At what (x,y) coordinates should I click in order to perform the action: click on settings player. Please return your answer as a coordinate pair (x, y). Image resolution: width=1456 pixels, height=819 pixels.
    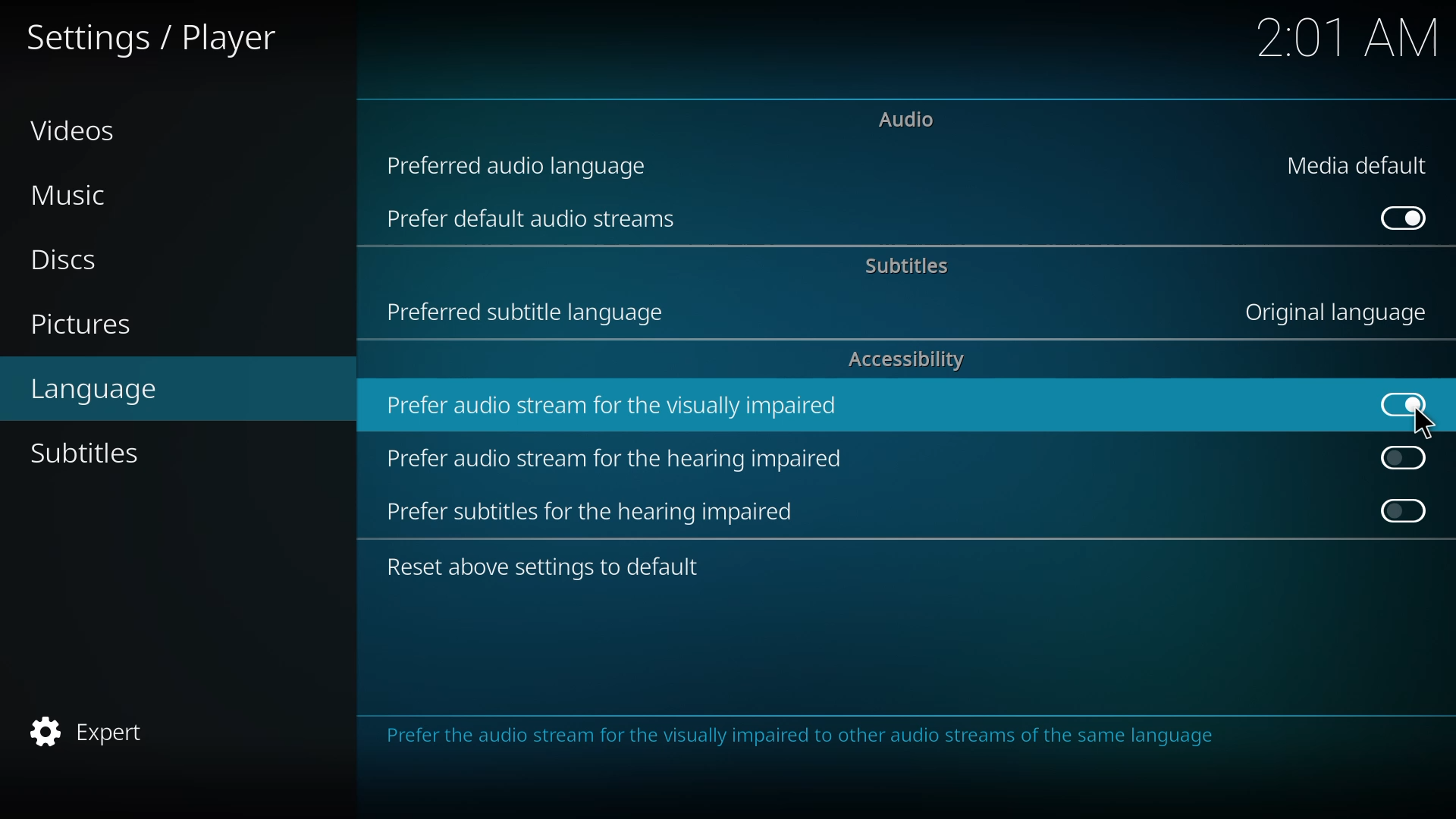
    Looking at the image, I should click on (153, 35).